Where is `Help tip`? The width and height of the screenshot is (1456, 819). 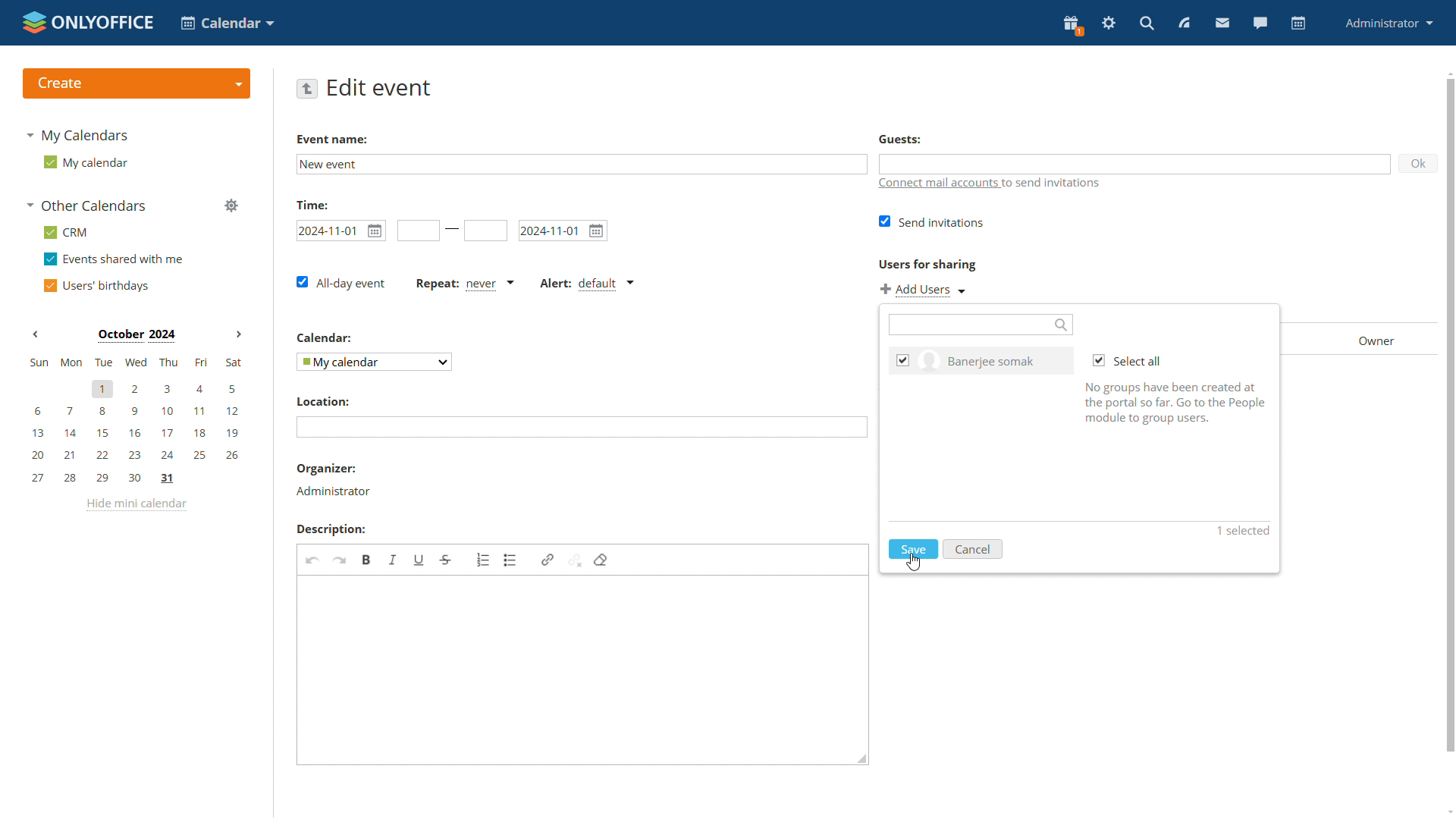 Help tip is located at coordinates (1175, 408).